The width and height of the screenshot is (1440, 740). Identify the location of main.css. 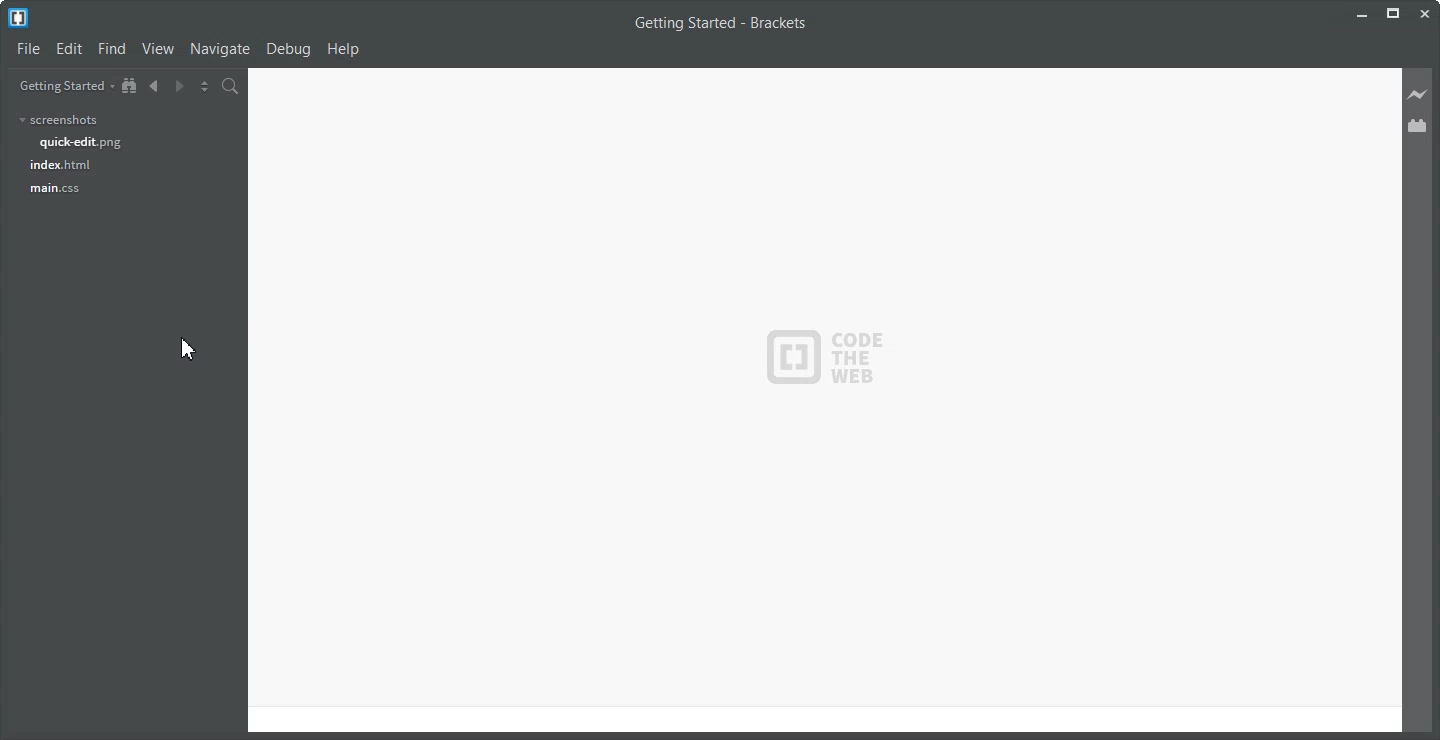
(55, 189).